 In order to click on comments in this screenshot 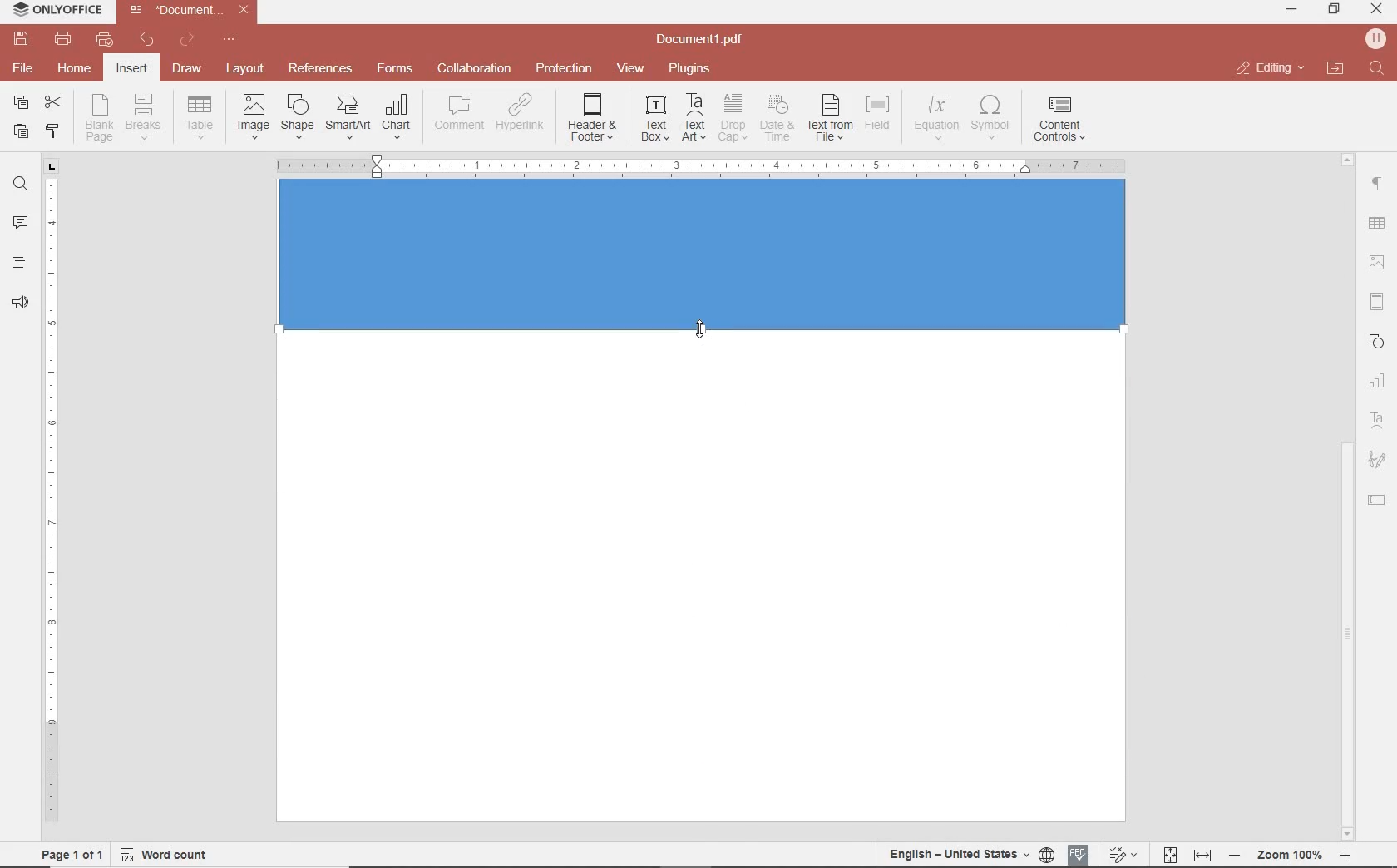, I will do `click(20, 224)`.